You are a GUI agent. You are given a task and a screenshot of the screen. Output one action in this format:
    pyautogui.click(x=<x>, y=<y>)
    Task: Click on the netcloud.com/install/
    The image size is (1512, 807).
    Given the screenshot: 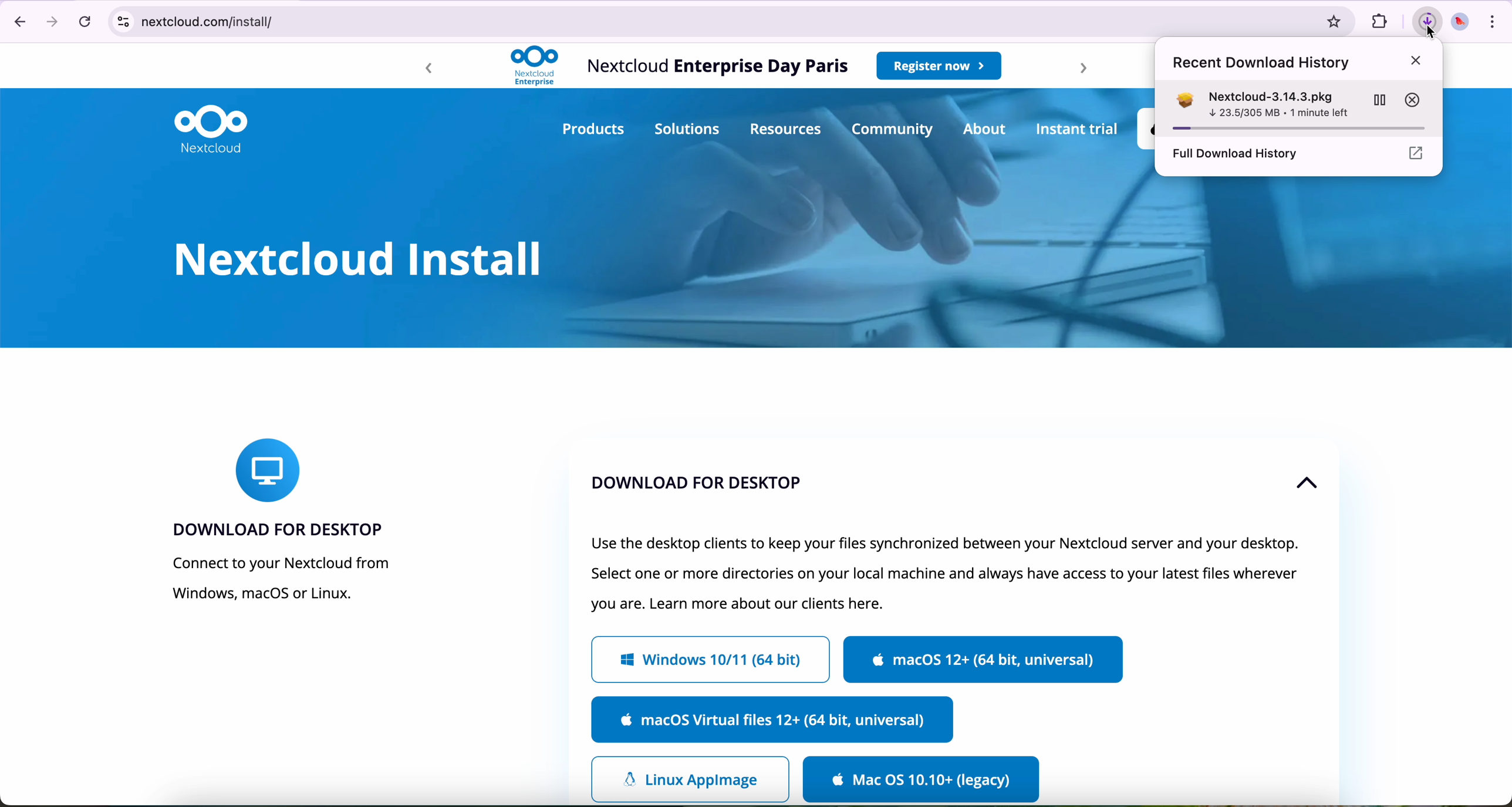 What is the action you would take?
    pyautogui.click(x=701, y=22)
    